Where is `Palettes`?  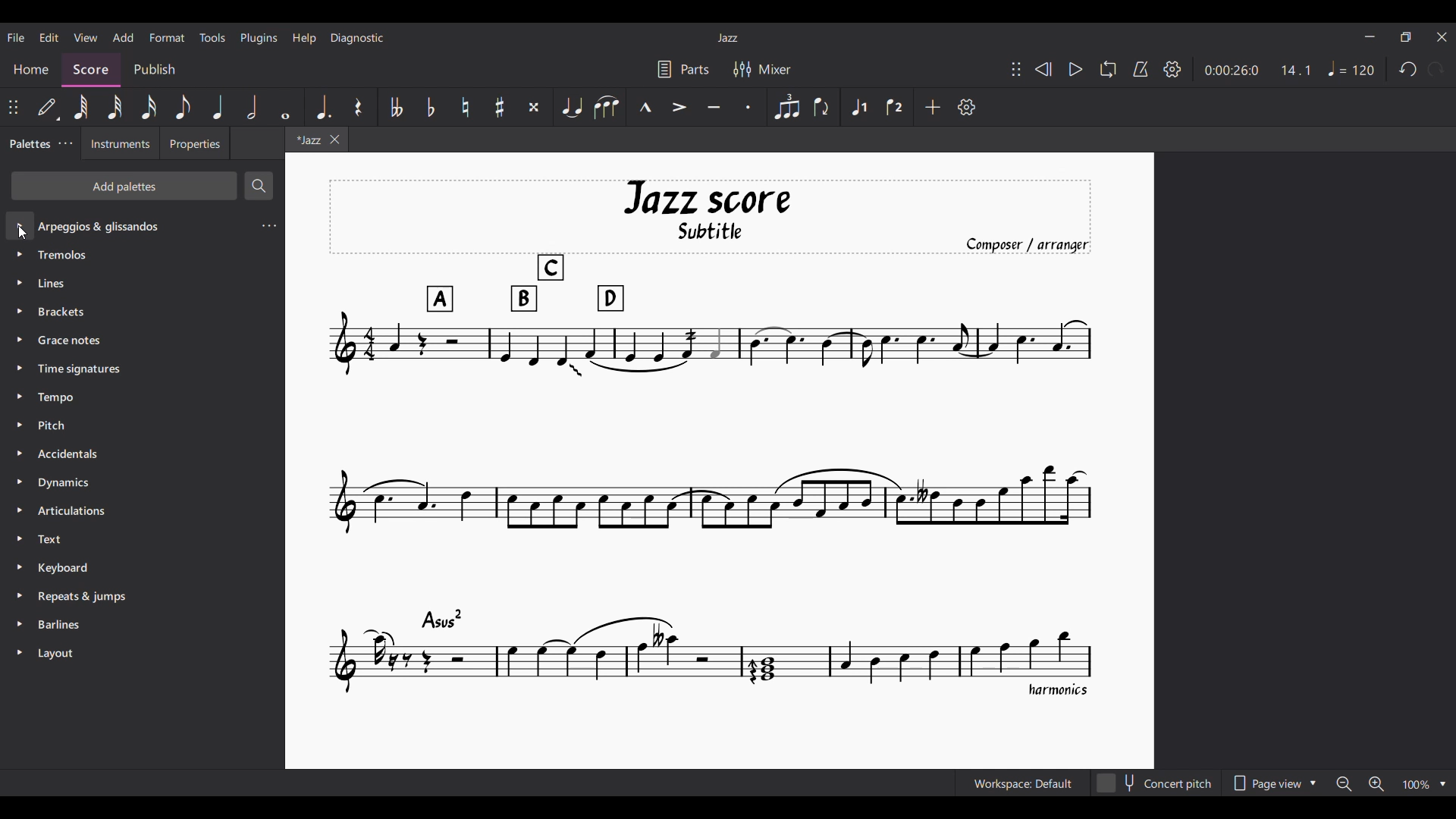 Palettes is located at coordinates (29, 143).